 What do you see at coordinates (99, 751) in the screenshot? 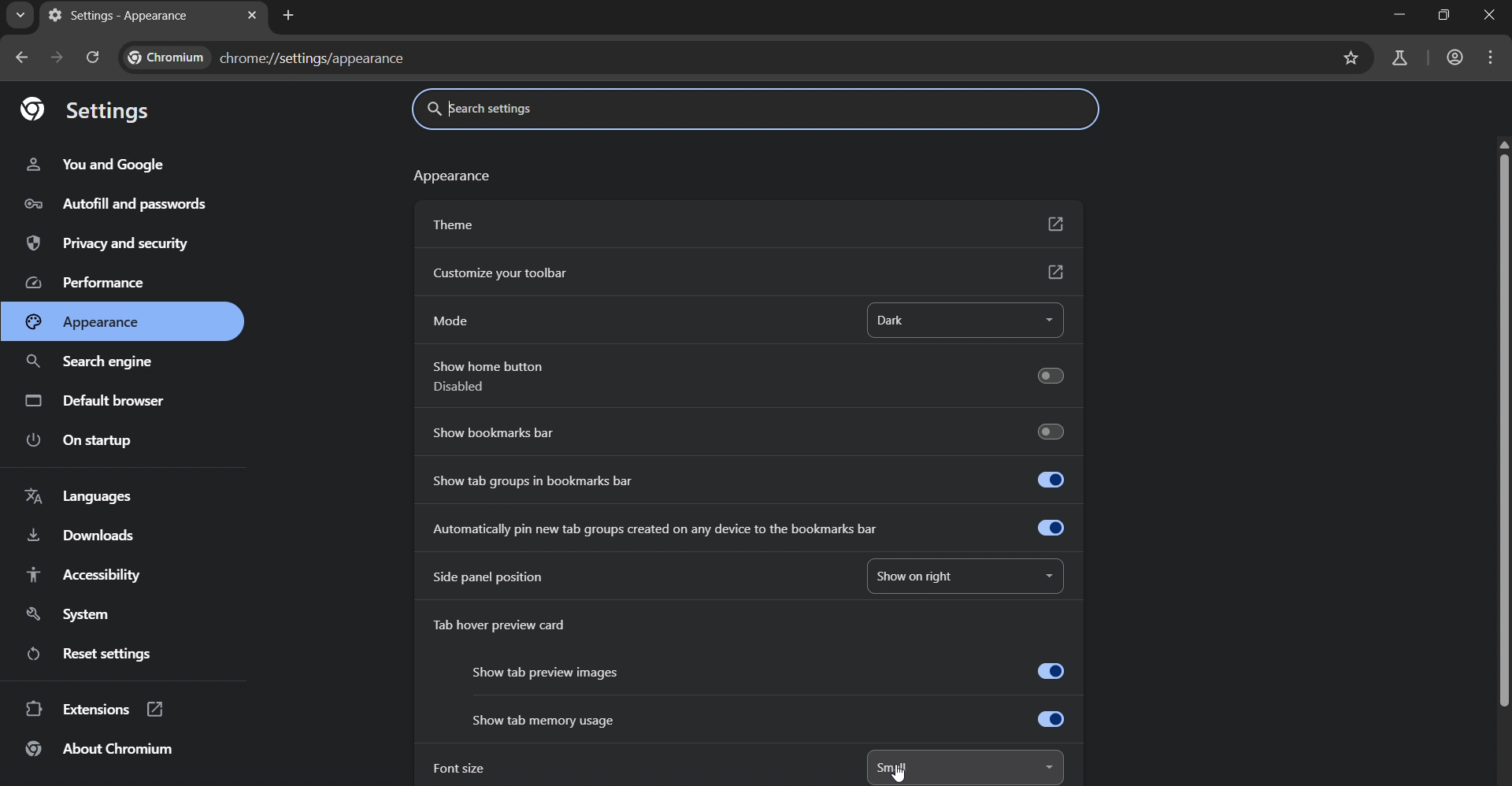
I see `about chromium` at bounding box center [99, 751].